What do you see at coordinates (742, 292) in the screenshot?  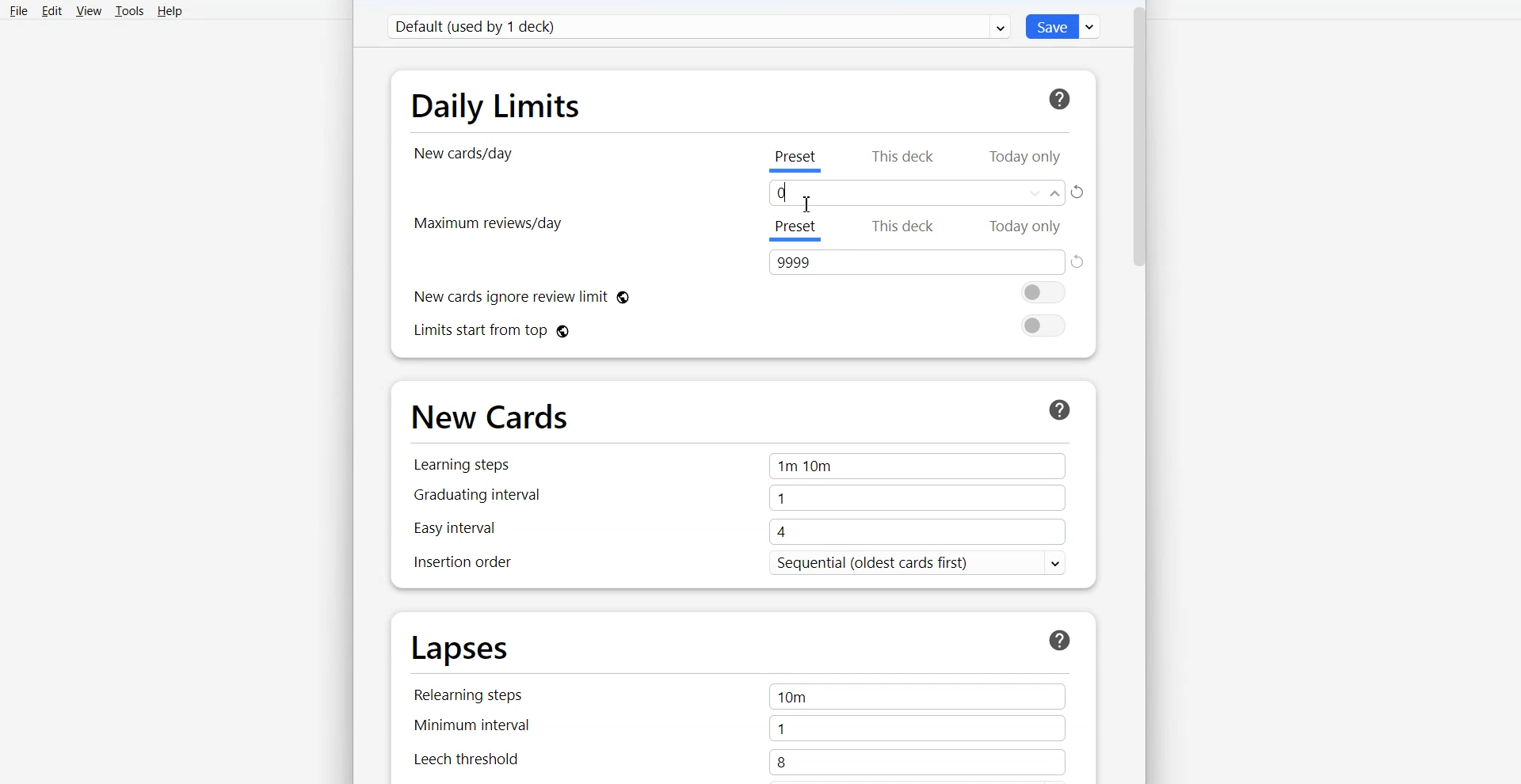 I see `New cards ignore review limit` at bounding box center [742, 292].